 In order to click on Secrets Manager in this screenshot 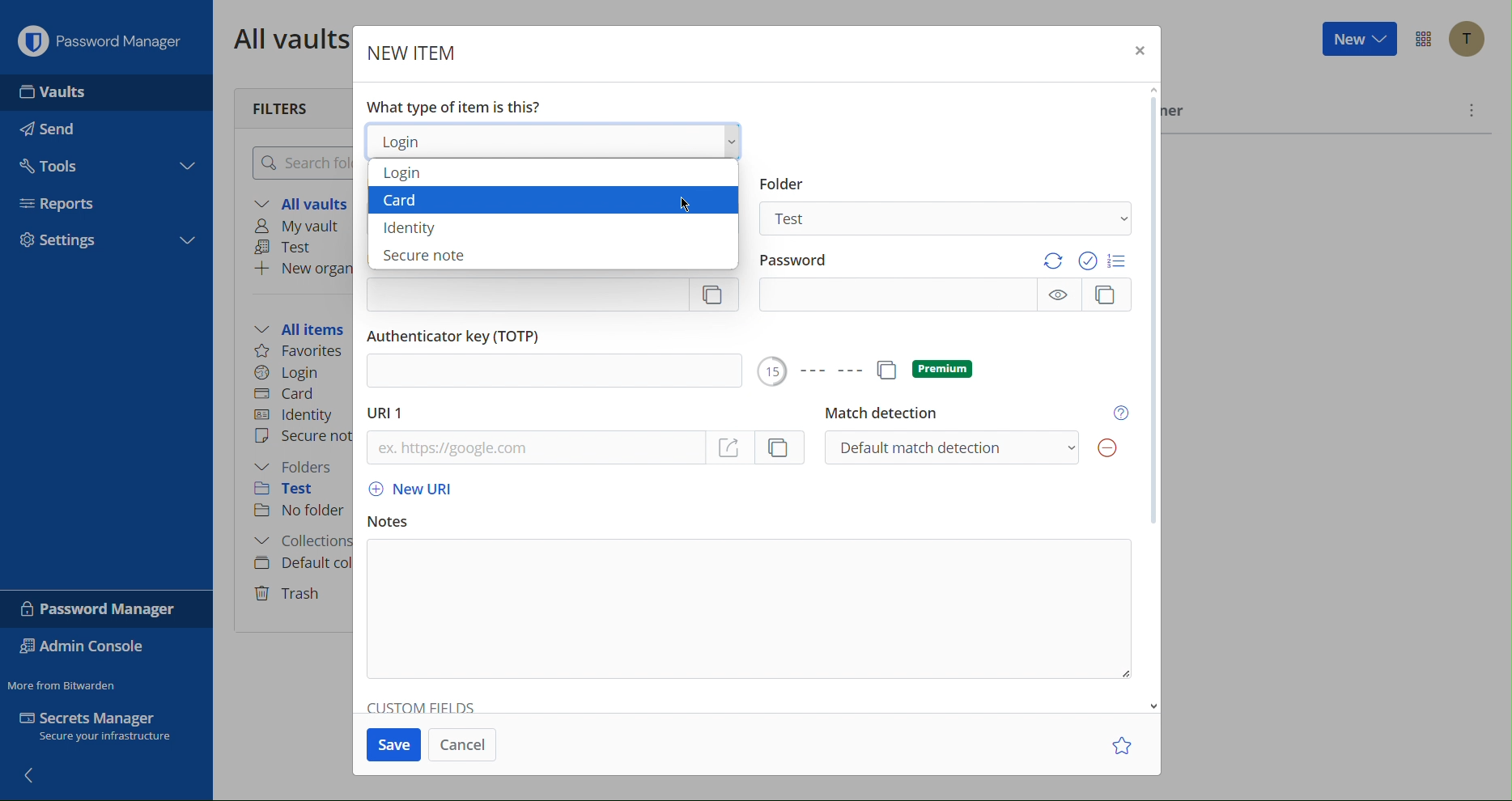, I will do `click(99, 724)`.